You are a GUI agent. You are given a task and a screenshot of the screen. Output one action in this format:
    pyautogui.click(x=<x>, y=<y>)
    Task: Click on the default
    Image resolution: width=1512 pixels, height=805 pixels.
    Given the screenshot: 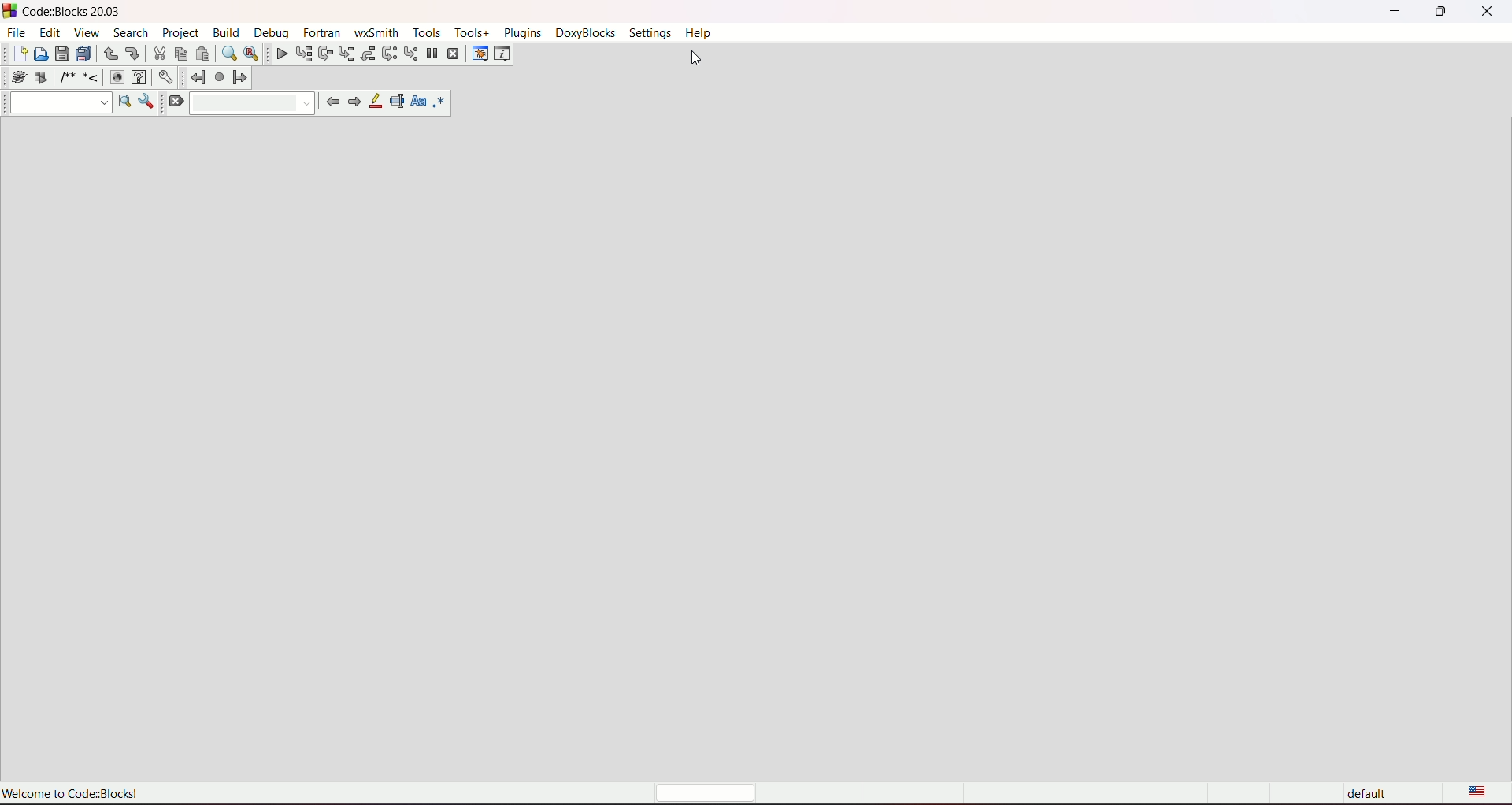 What is the action you would take?
    pyautogui.click(x=1370, y=795)
    